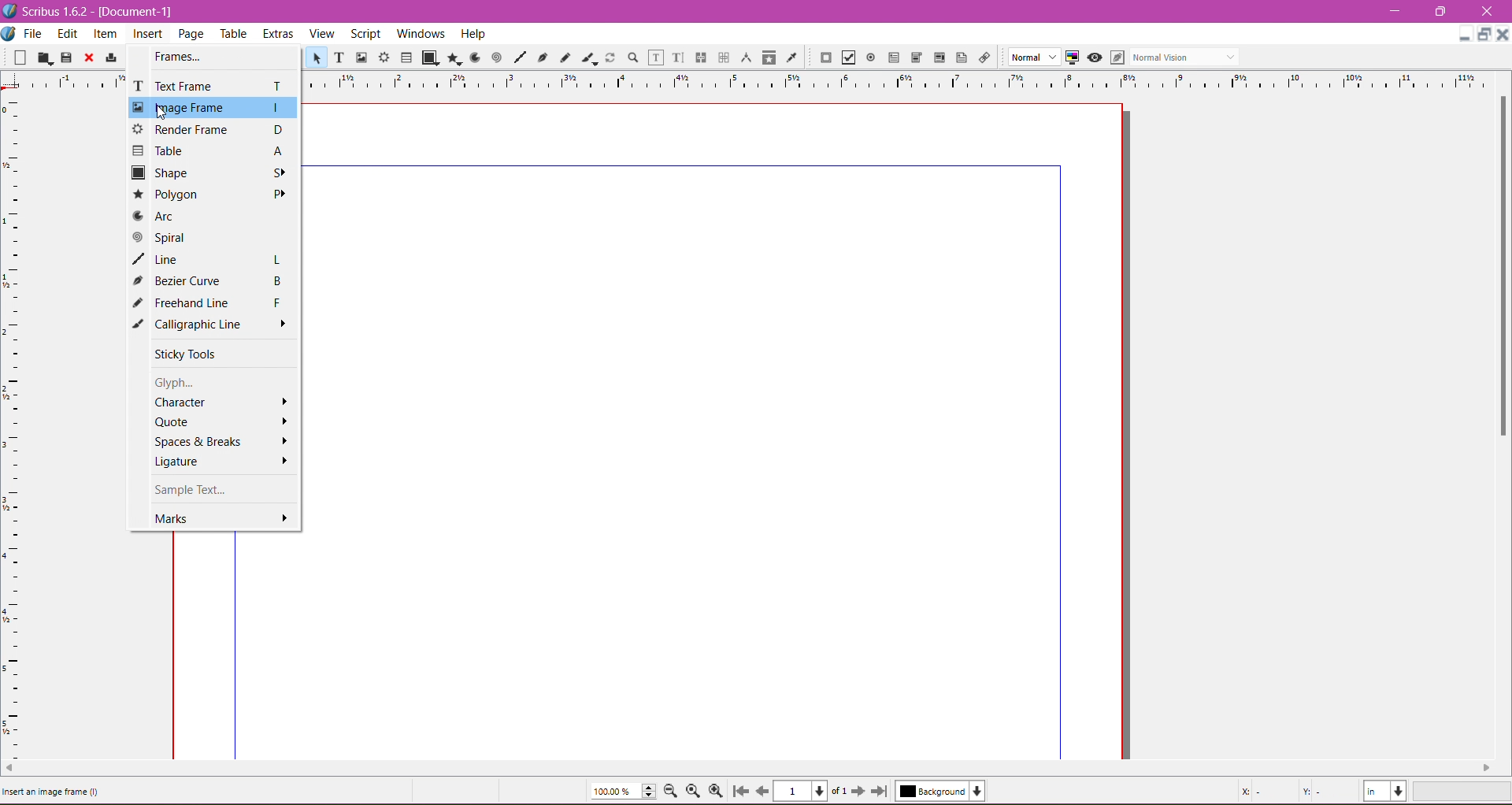 This screenshot has width=1512, height=805. Describe the element at coordinates (9, 769) in the screenshot. I see `scroll left` at that location.